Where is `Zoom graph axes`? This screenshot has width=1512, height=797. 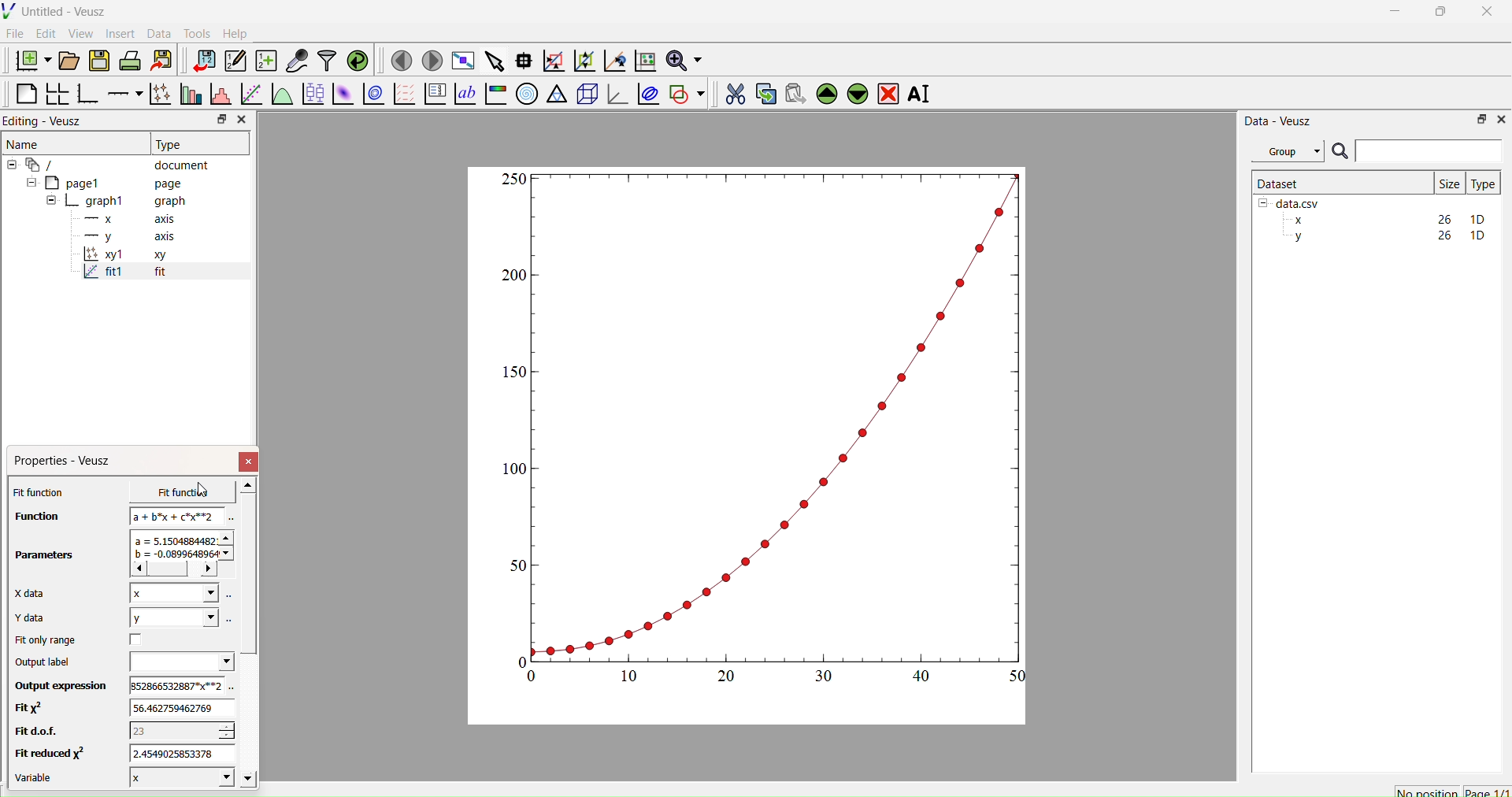
Zoom graph axes is located at coordinates (553, 61).